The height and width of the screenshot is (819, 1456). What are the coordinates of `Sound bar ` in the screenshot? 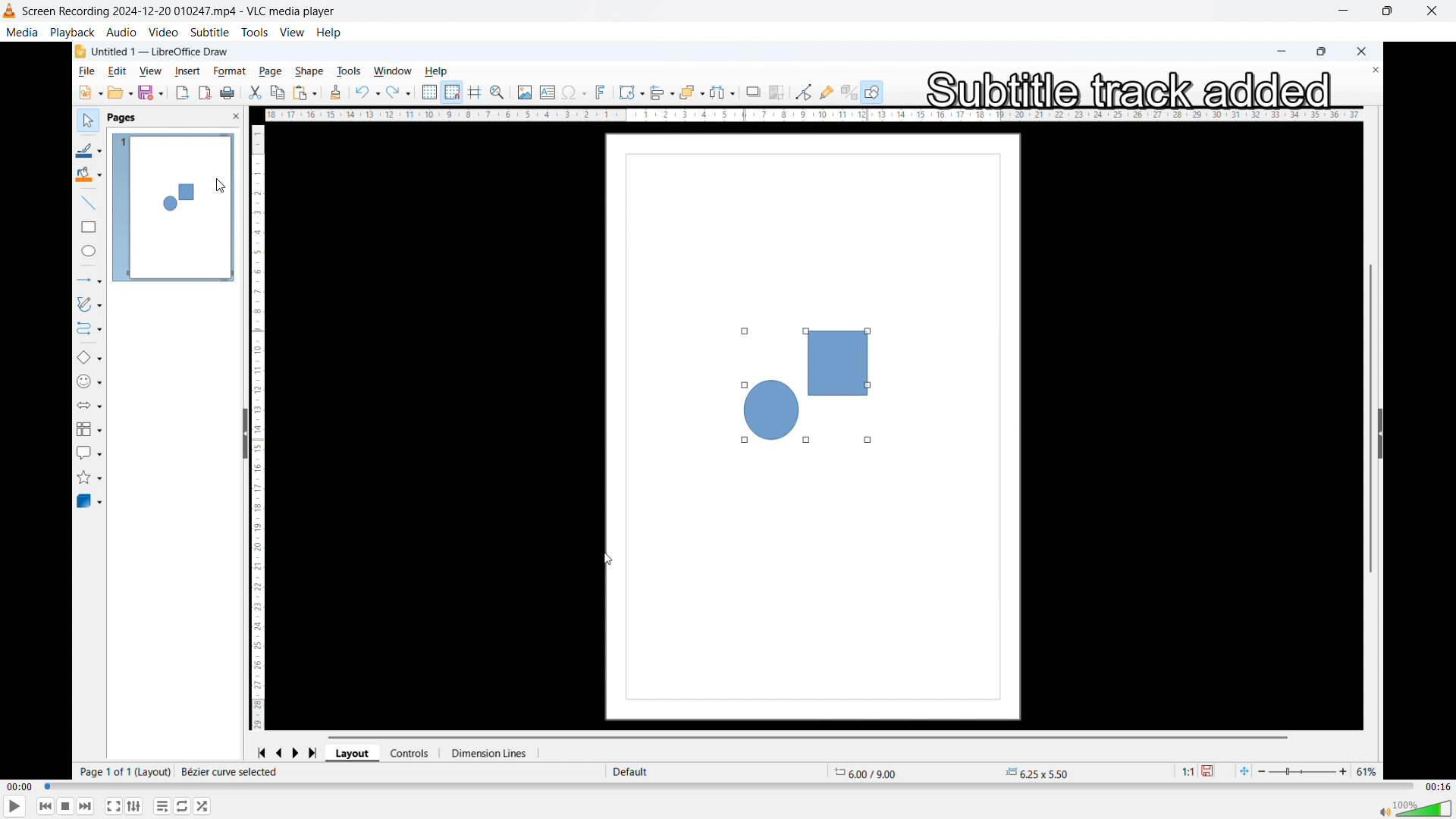 It's located at (1414, 808).